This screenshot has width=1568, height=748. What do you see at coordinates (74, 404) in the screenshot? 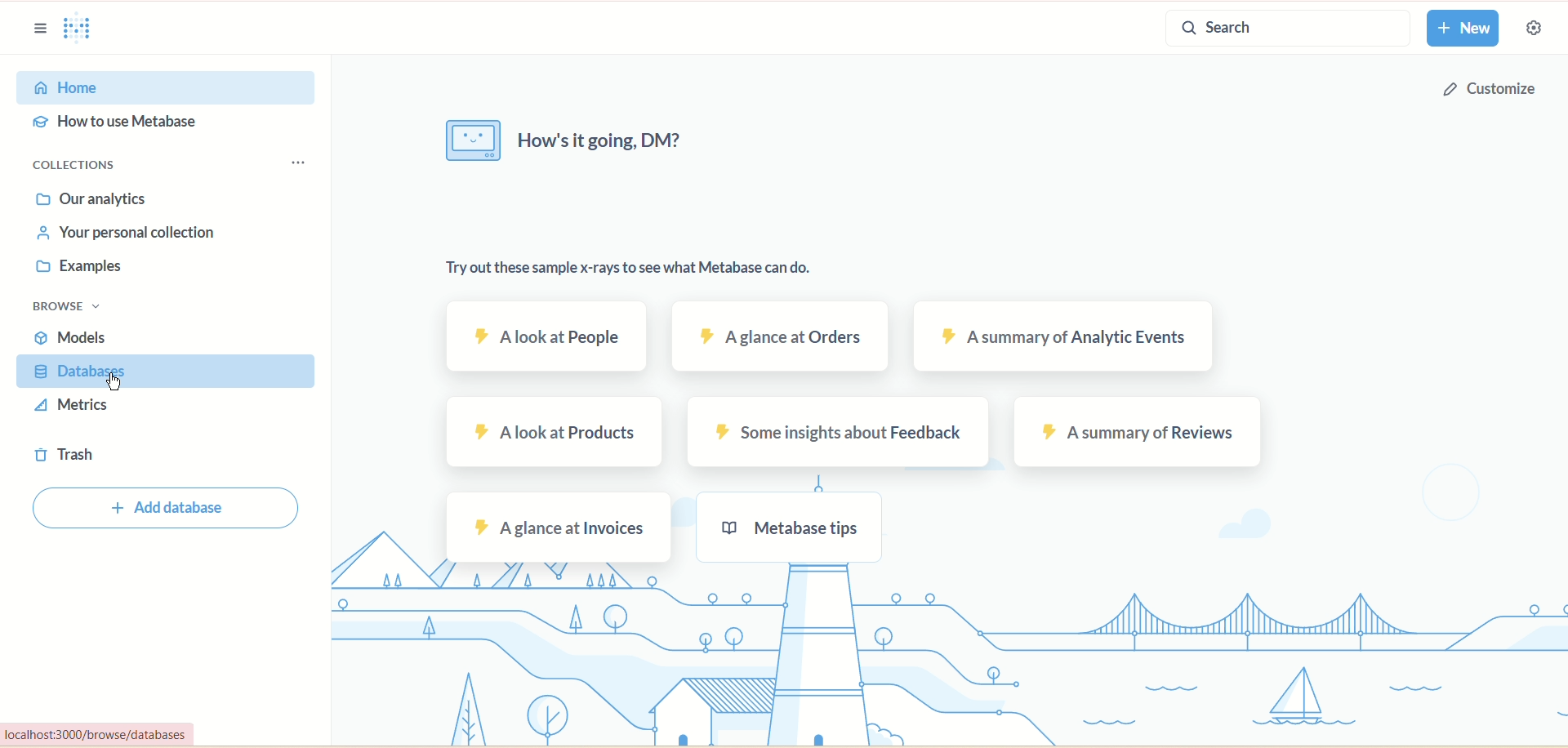
I see `metrics` at bounding box center [74, 404].